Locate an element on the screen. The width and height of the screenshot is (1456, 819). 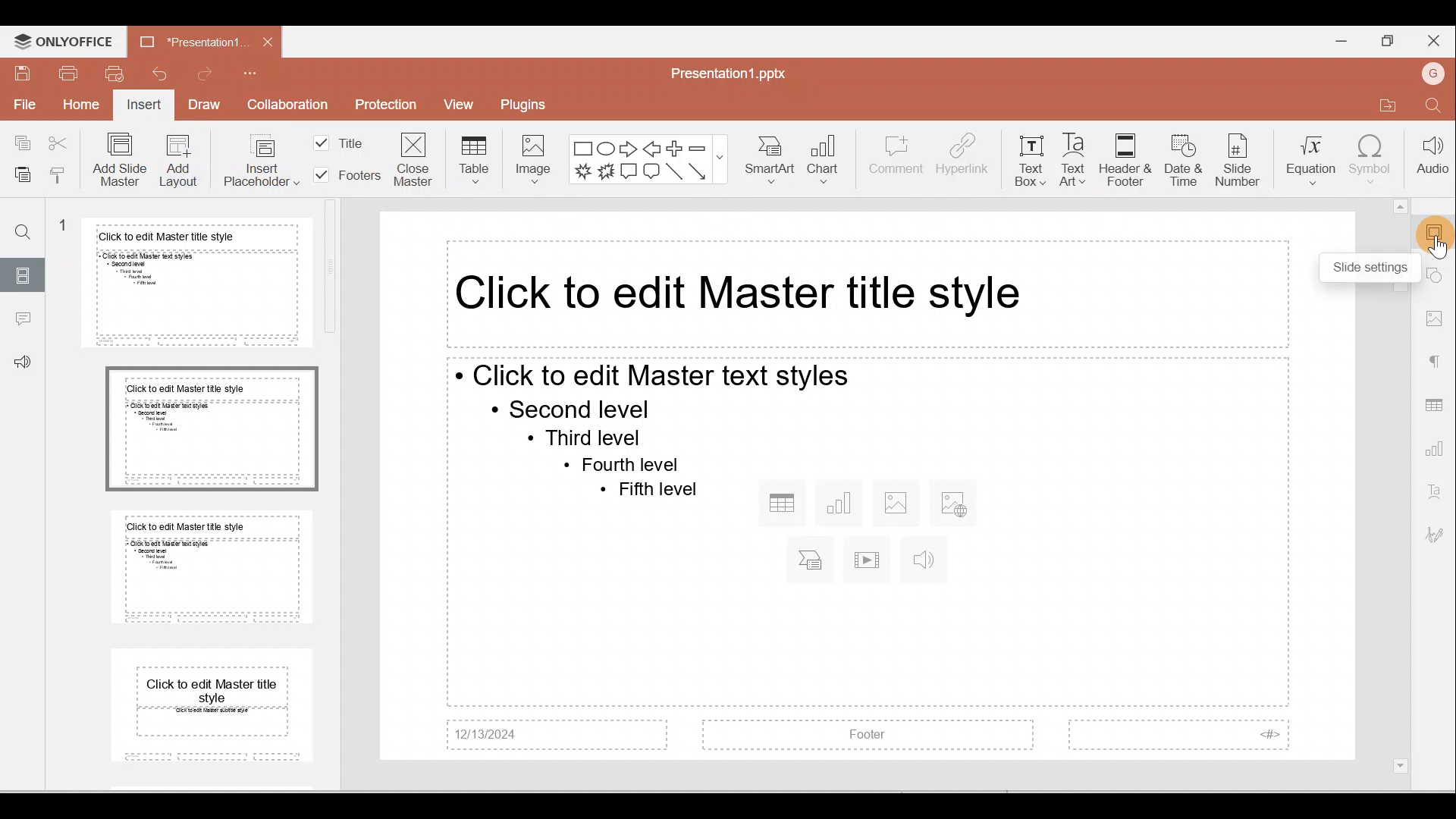
Chart settings is located at coordinates (1437, 452).